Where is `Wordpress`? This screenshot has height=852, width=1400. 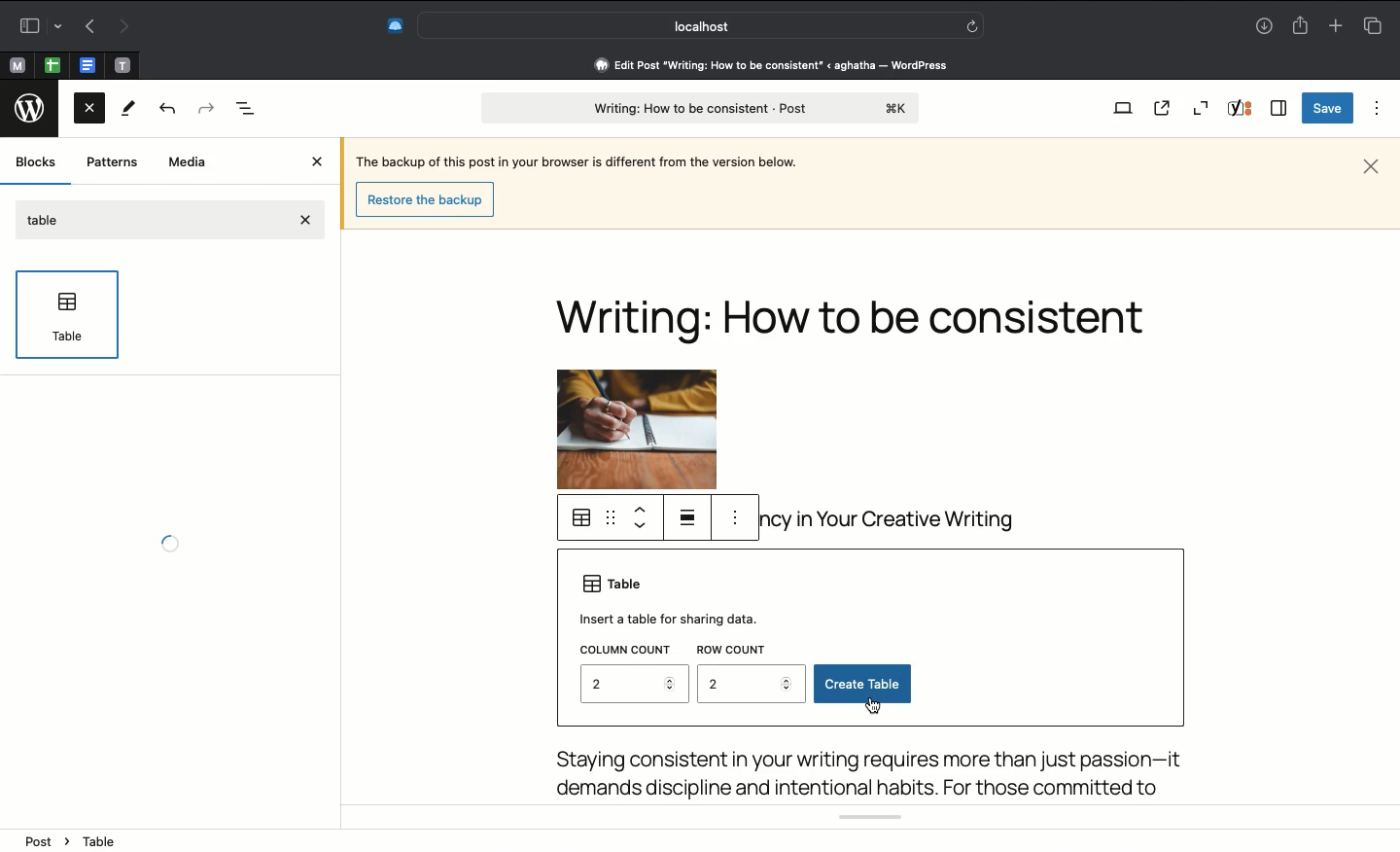 Wordpress is located at coordinates (33, 107).